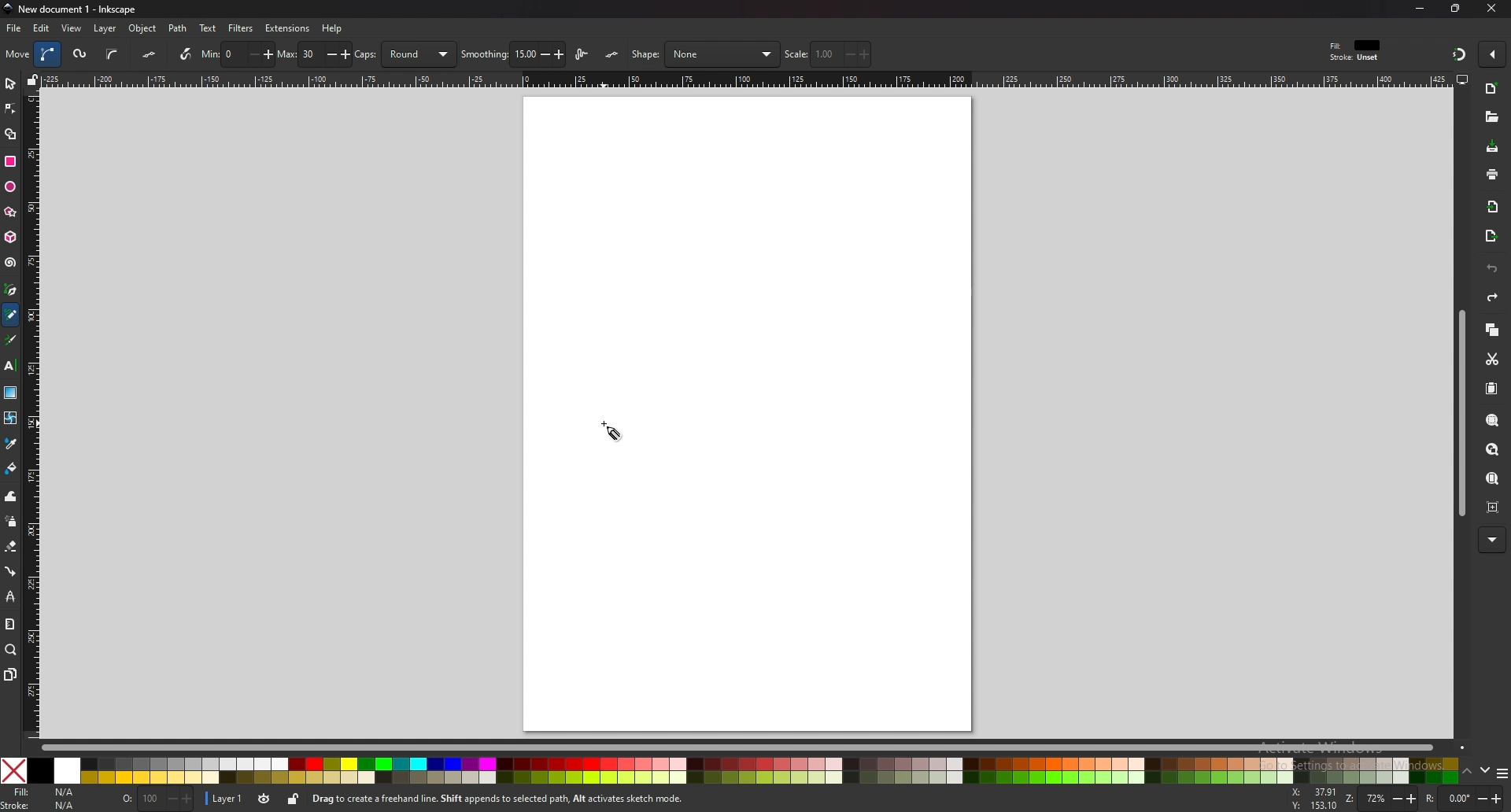 This screenshot has width=1511, height=812. What do you see at coordinates (704, 54) in the screenshot?
I see `shape` at bounding box center [704, 54].